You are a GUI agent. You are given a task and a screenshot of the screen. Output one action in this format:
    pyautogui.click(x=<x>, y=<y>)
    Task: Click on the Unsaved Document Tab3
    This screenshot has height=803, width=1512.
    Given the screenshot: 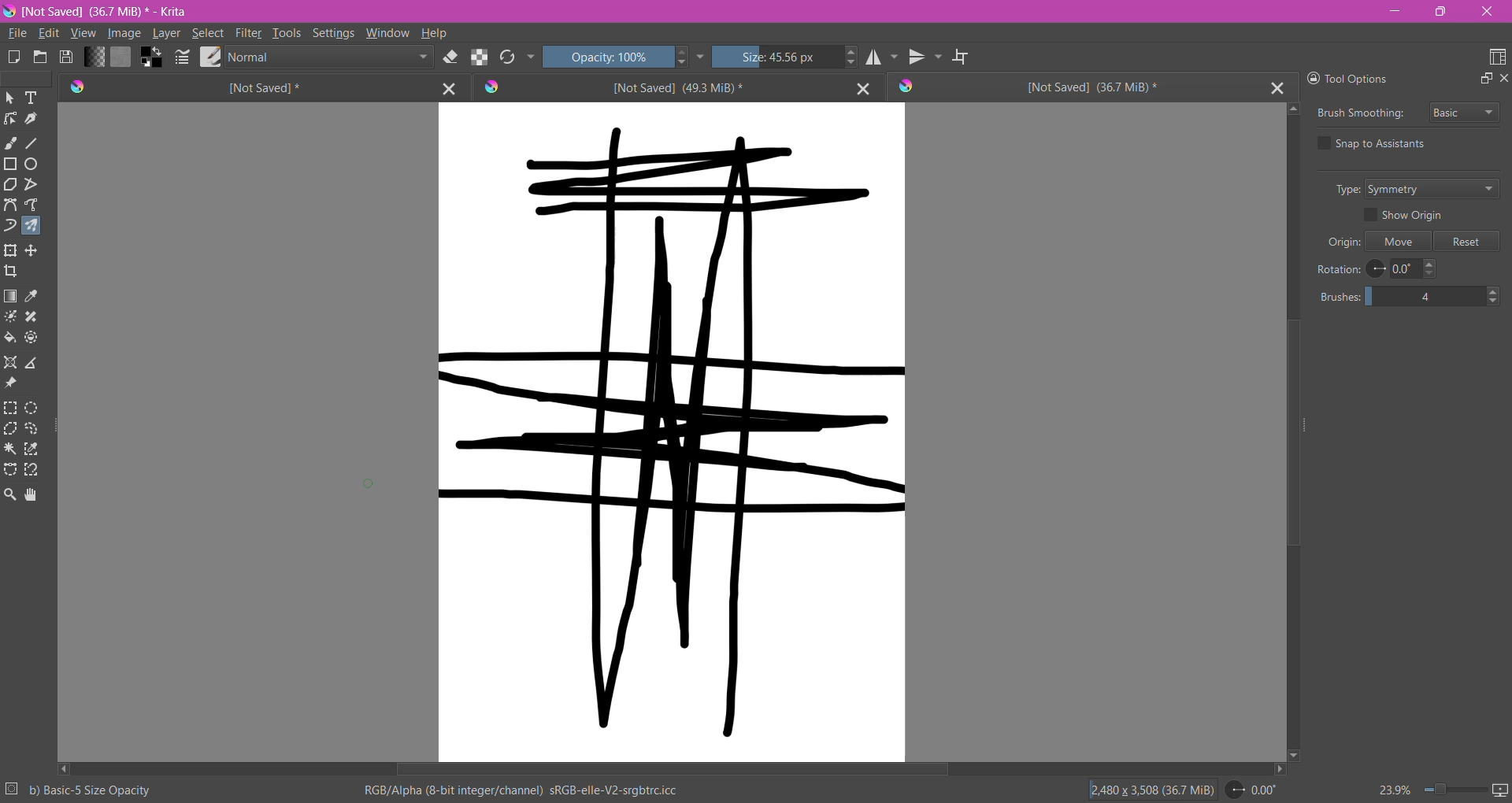 What is the action you would take?
    pyautogui.click(x=1077, y=87)
    